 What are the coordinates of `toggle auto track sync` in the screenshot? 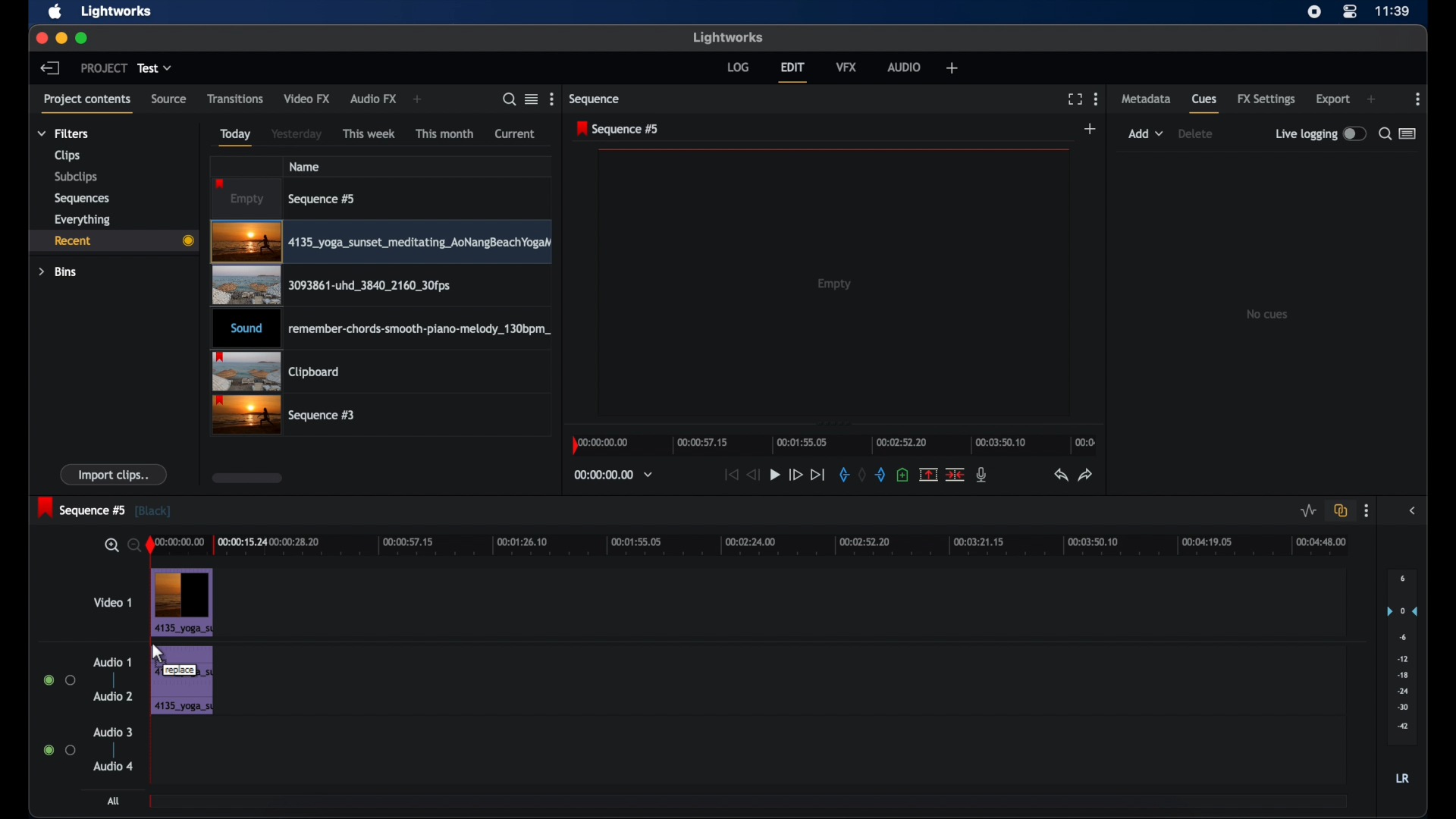 It's located at (1341, 510).